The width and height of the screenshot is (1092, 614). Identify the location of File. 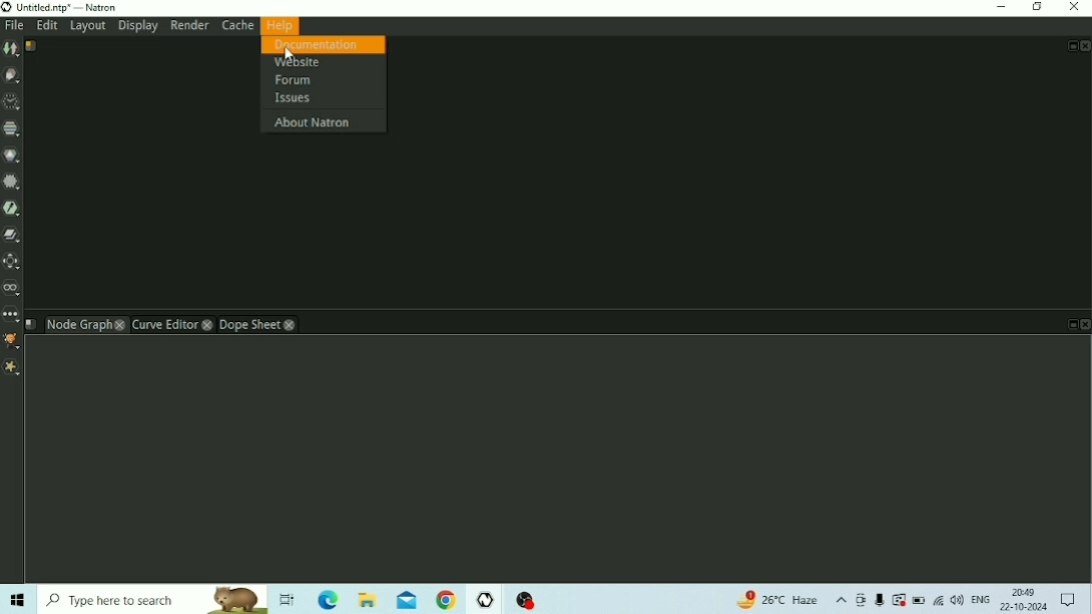
(14, 26).